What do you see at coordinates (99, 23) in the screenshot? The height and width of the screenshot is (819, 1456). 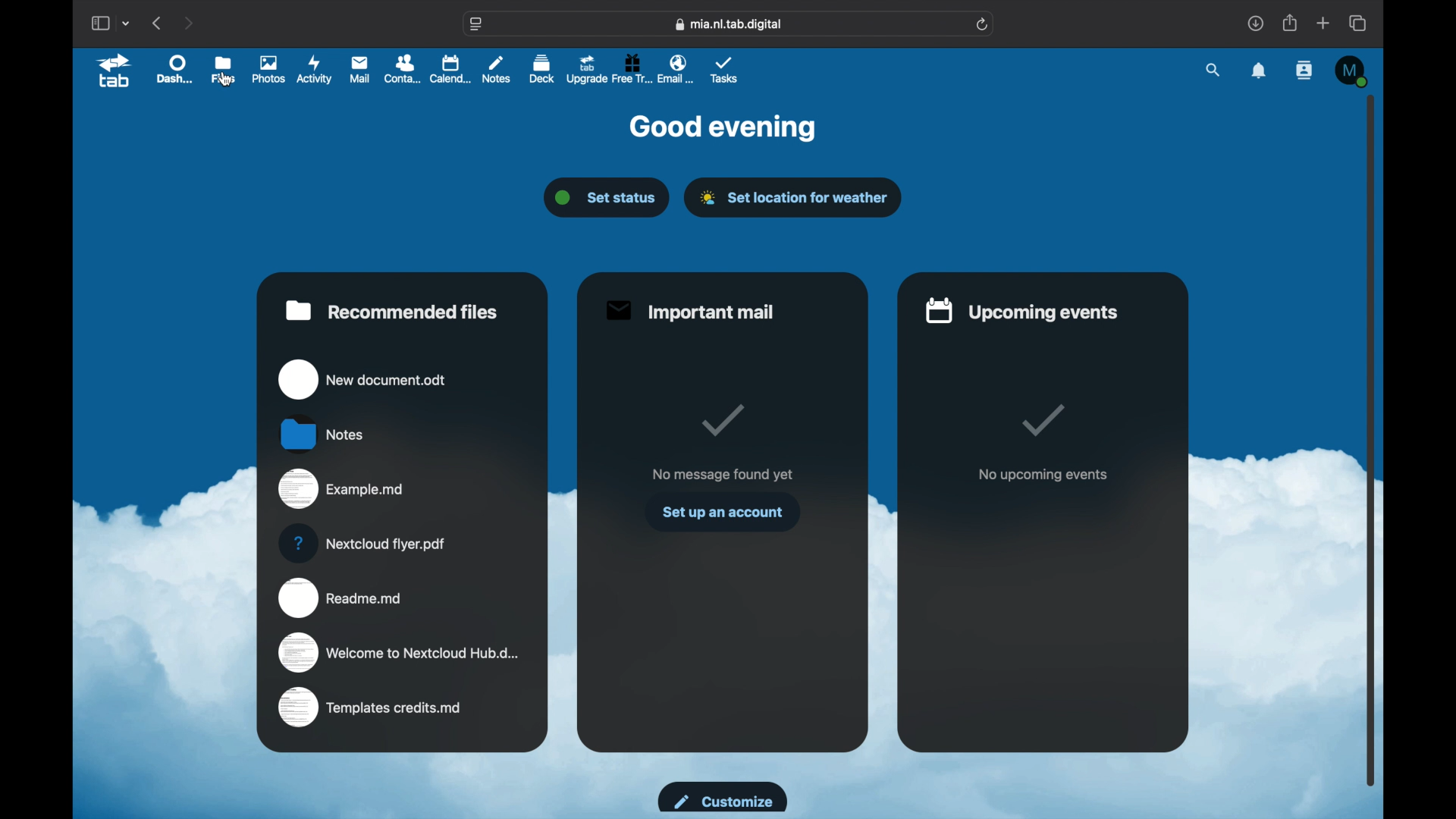 I see `show sidebar` at bounding box center [99, 23].